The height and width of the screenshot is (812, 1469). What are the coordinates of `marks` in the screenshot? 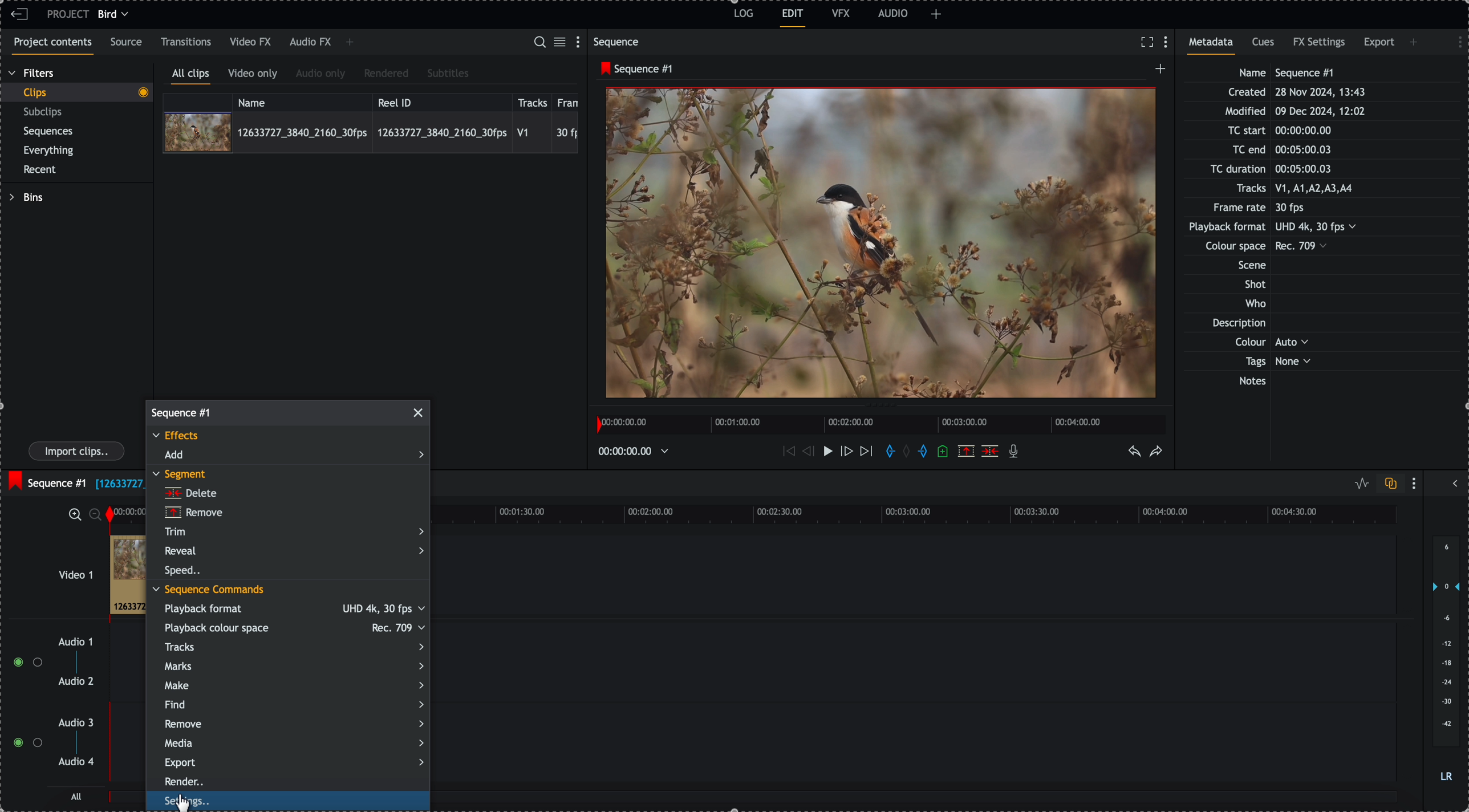 It's located at (293, 666).